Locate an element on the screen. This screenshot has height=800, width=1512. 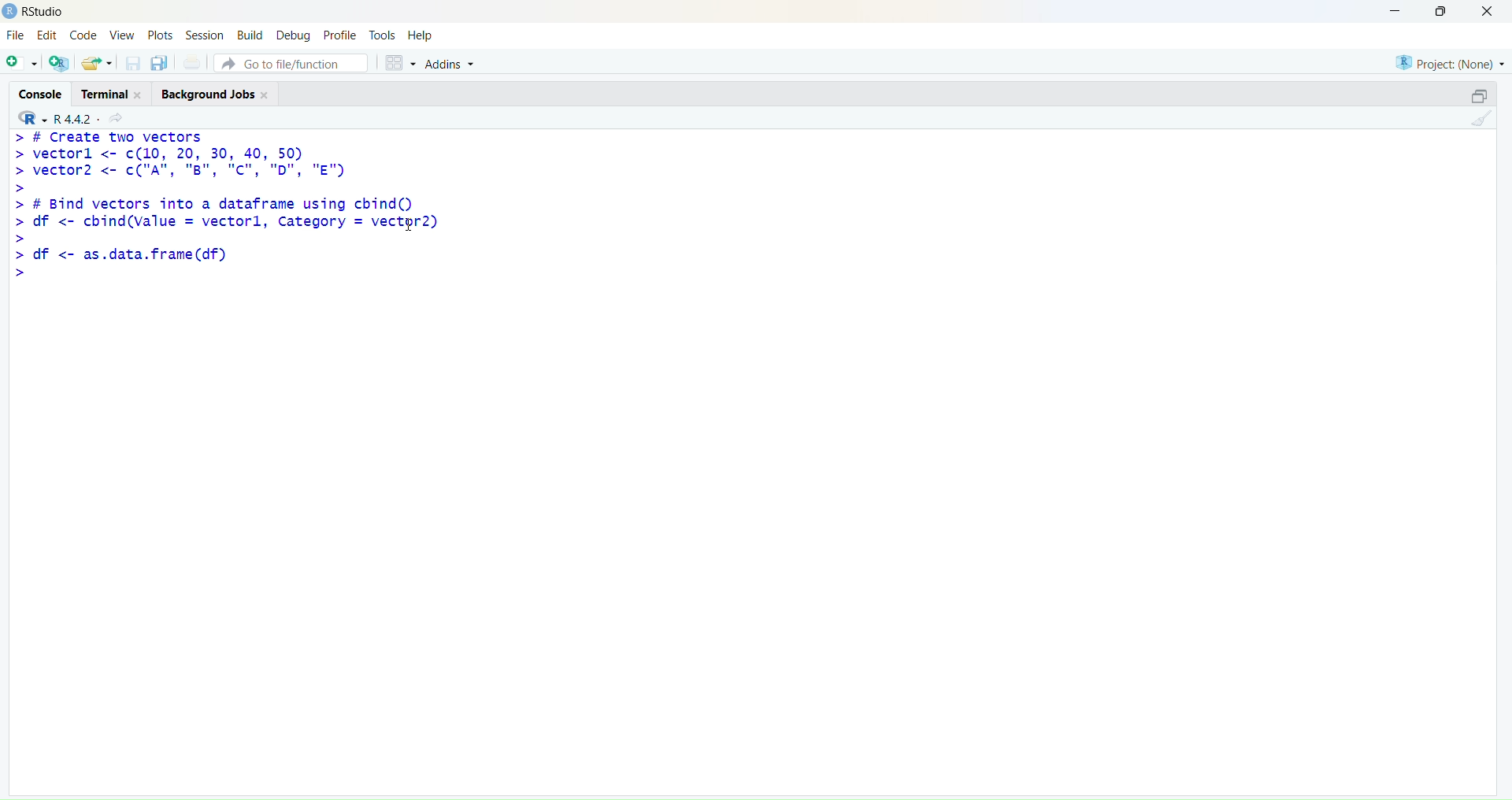
File is located at coordinates (17, 35).